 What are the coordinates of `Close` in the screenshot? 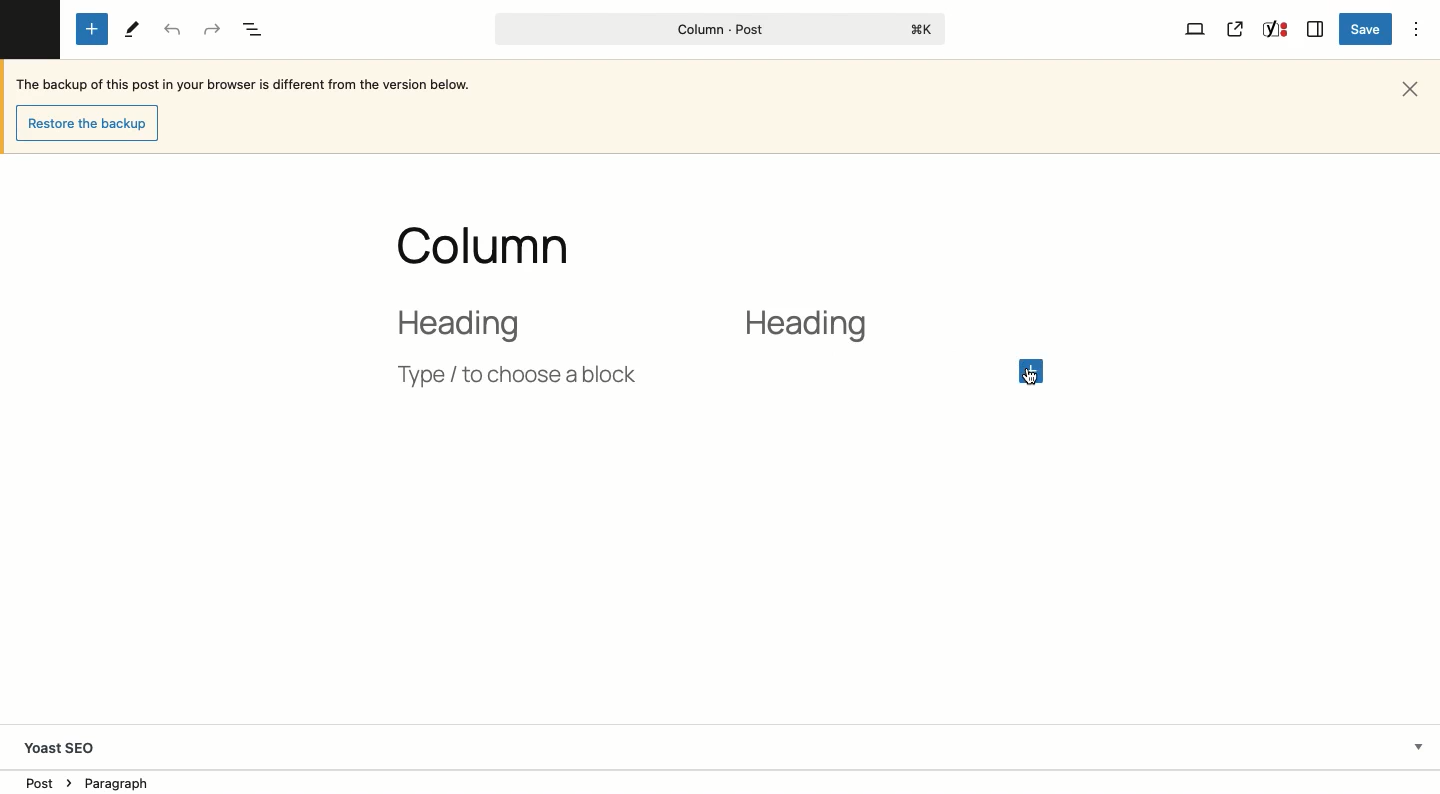 It's located at (1414, 87).